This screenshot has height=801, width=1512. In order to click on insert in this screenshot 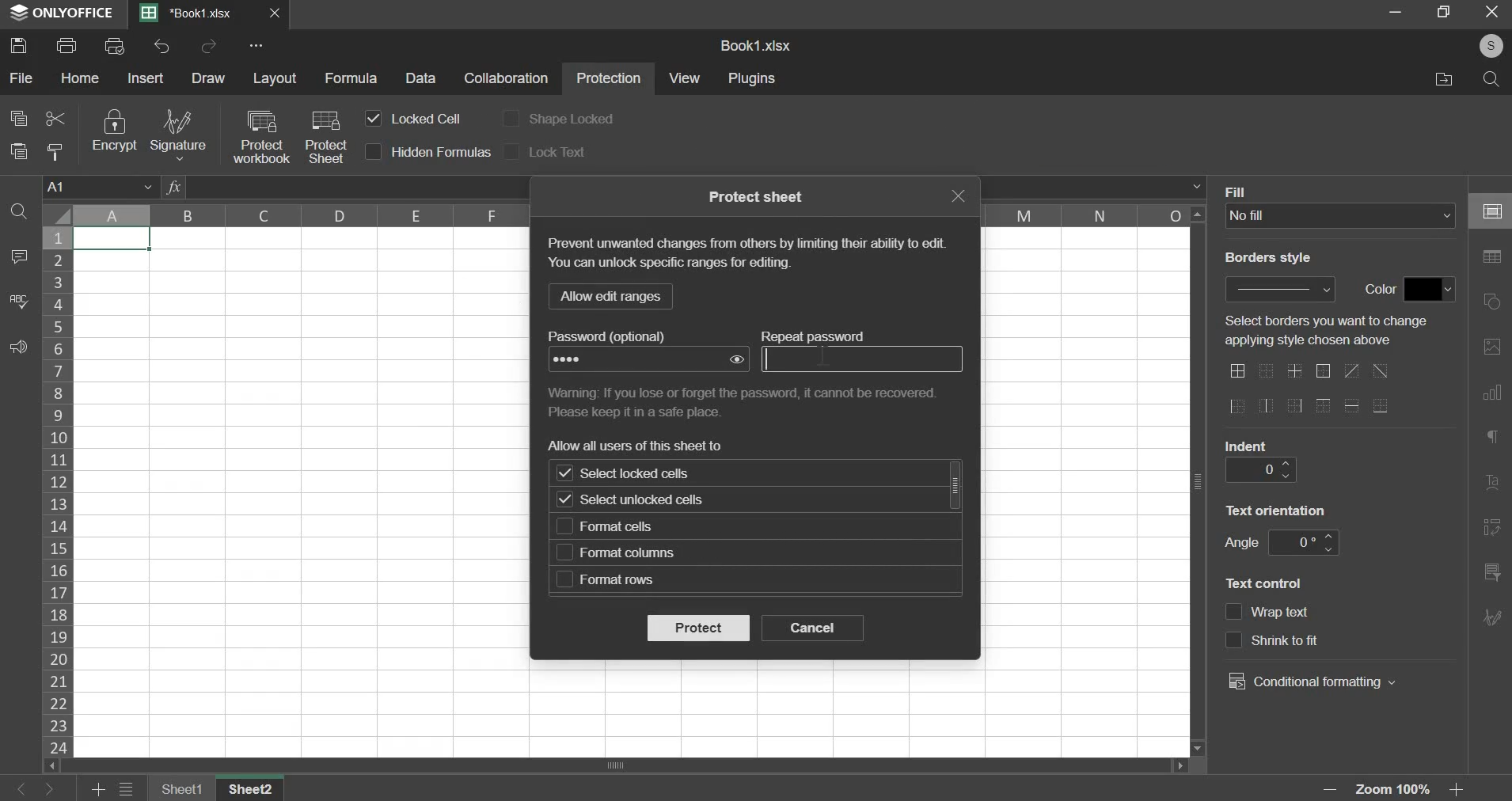, I will do `click(146, 78)`.